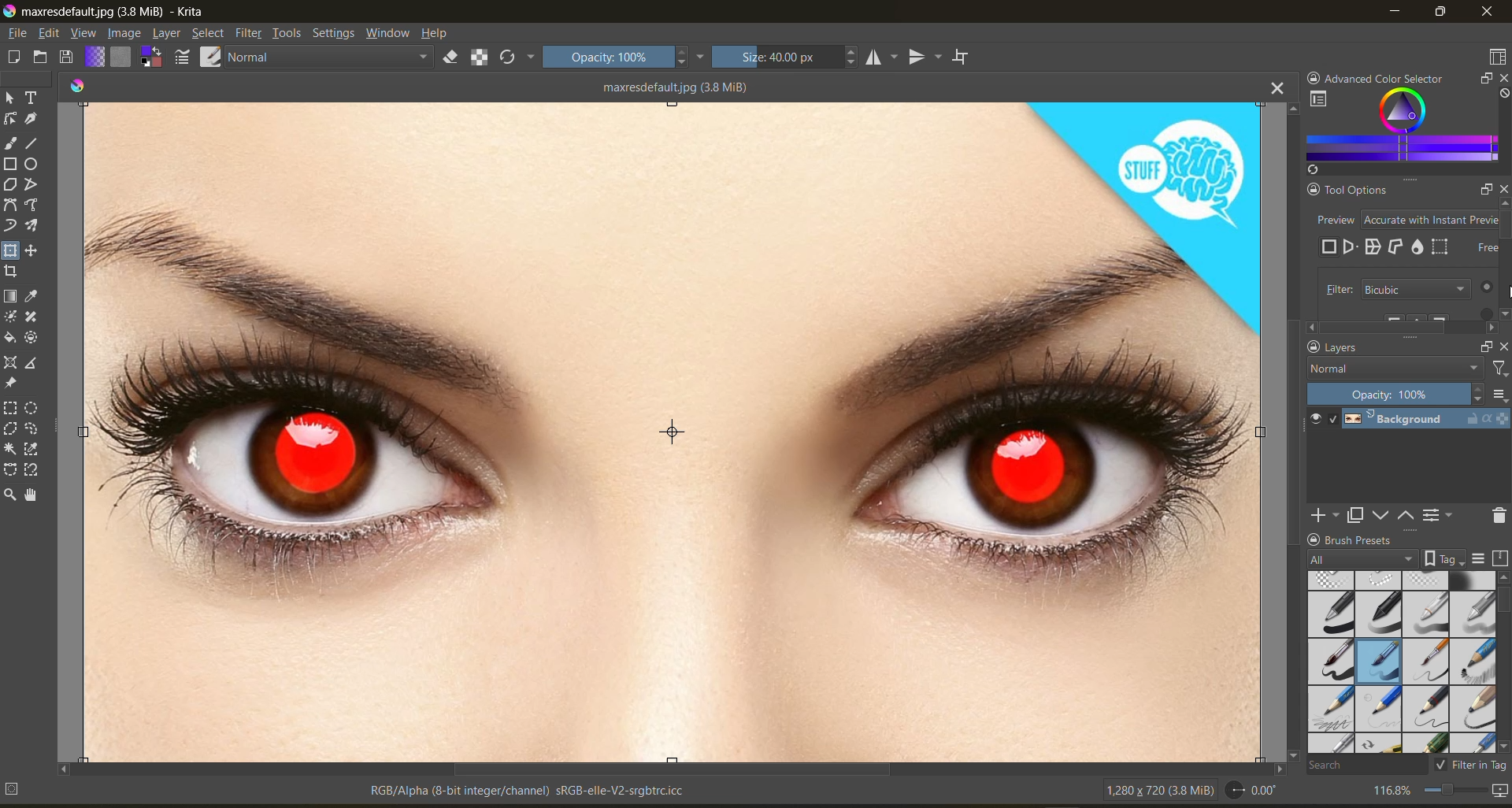 This screenshot has height=808, width=1512. Describe the element at coordinates (9, 428) in the screenshot. I see `tool` at that location.